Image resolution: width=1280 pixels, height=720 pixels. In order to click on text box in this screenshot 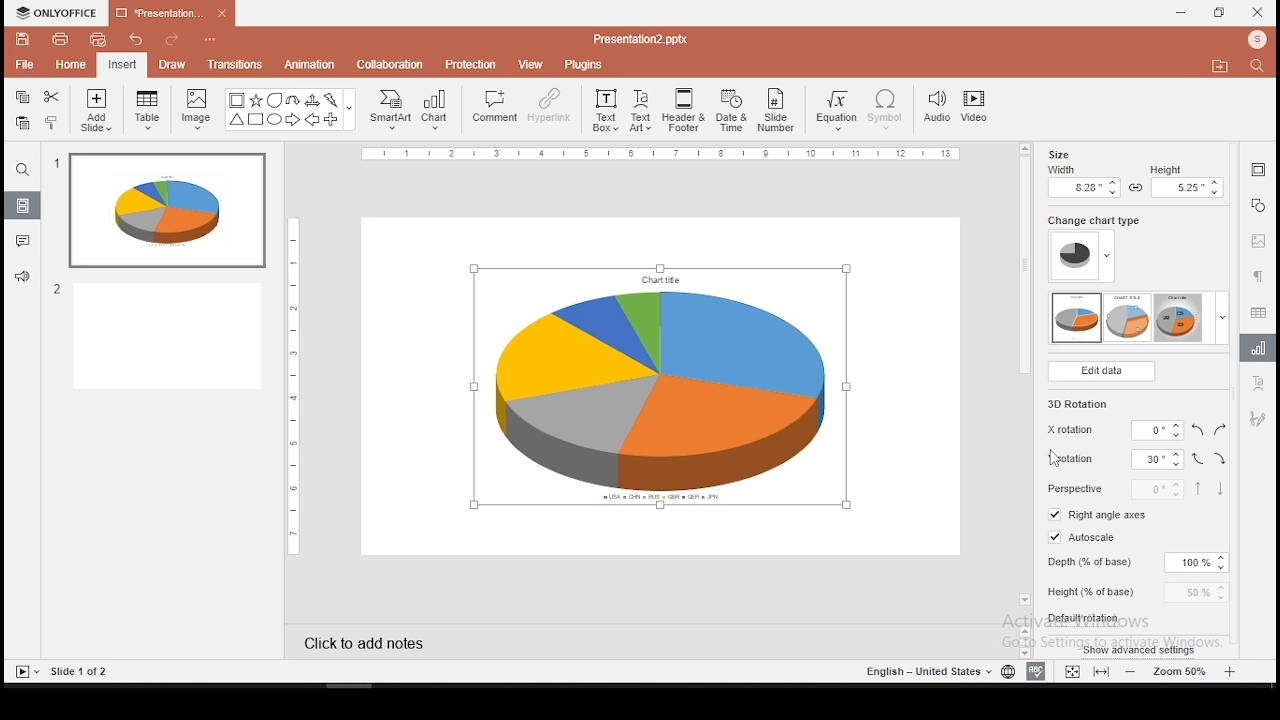, I will do `click(605, 111)`.